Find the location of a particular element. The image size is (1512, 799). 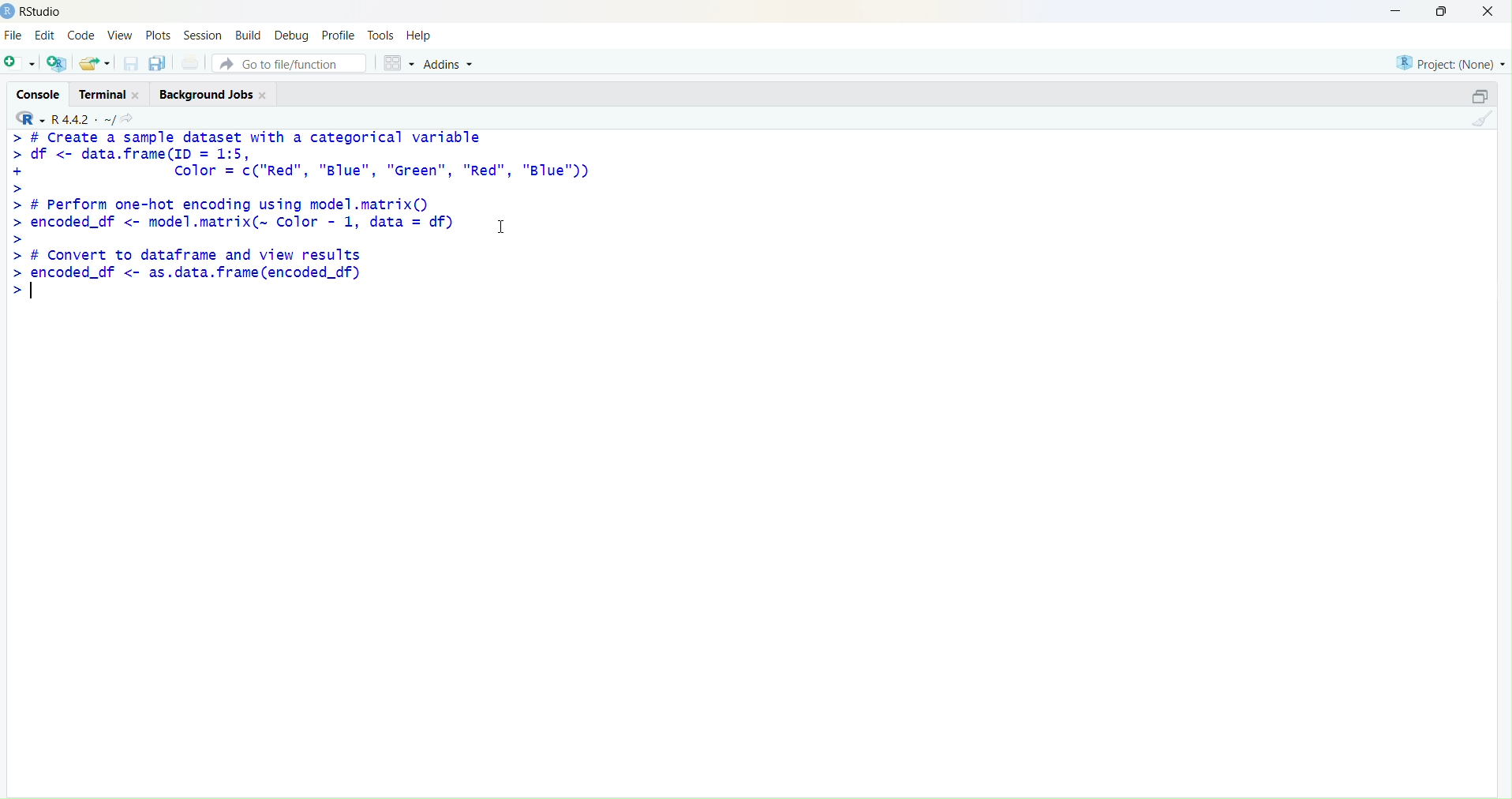

Build  is located at coordinates (250, 35).